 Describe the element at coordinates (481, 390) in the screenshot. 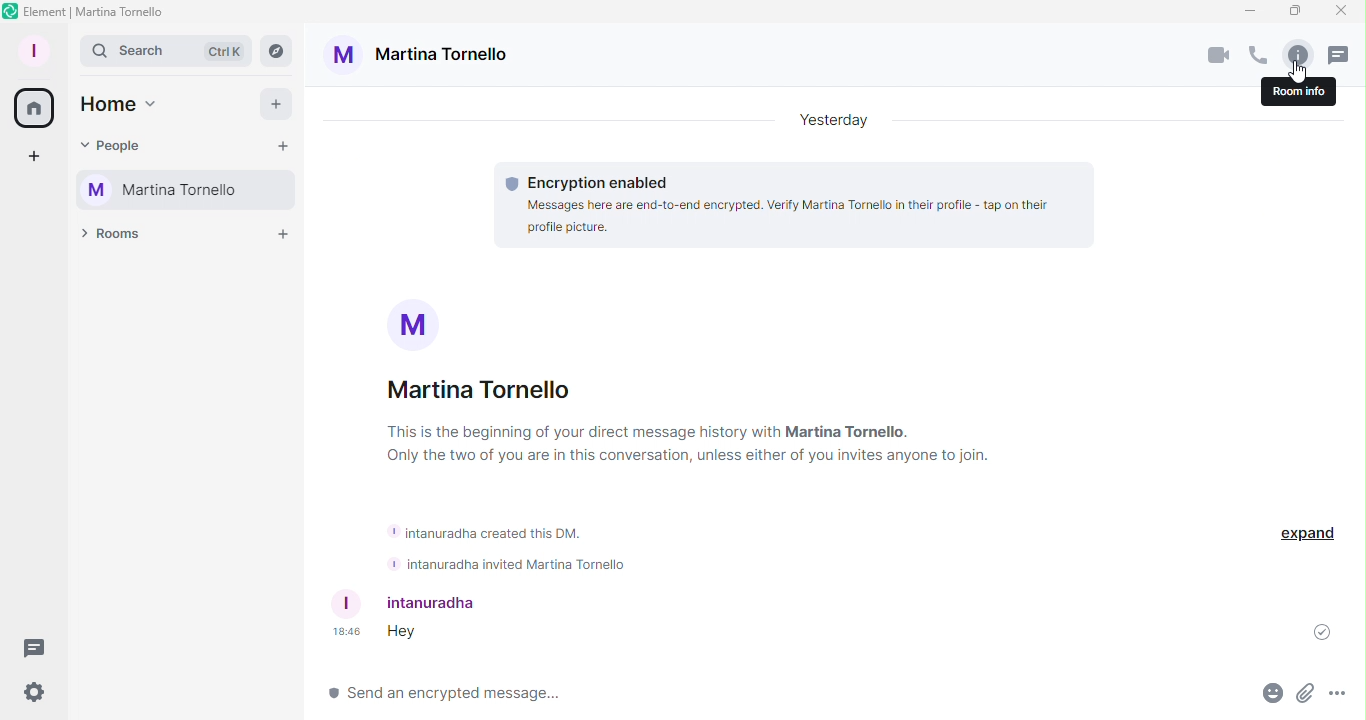

I see `Martina Tornello` at that location.